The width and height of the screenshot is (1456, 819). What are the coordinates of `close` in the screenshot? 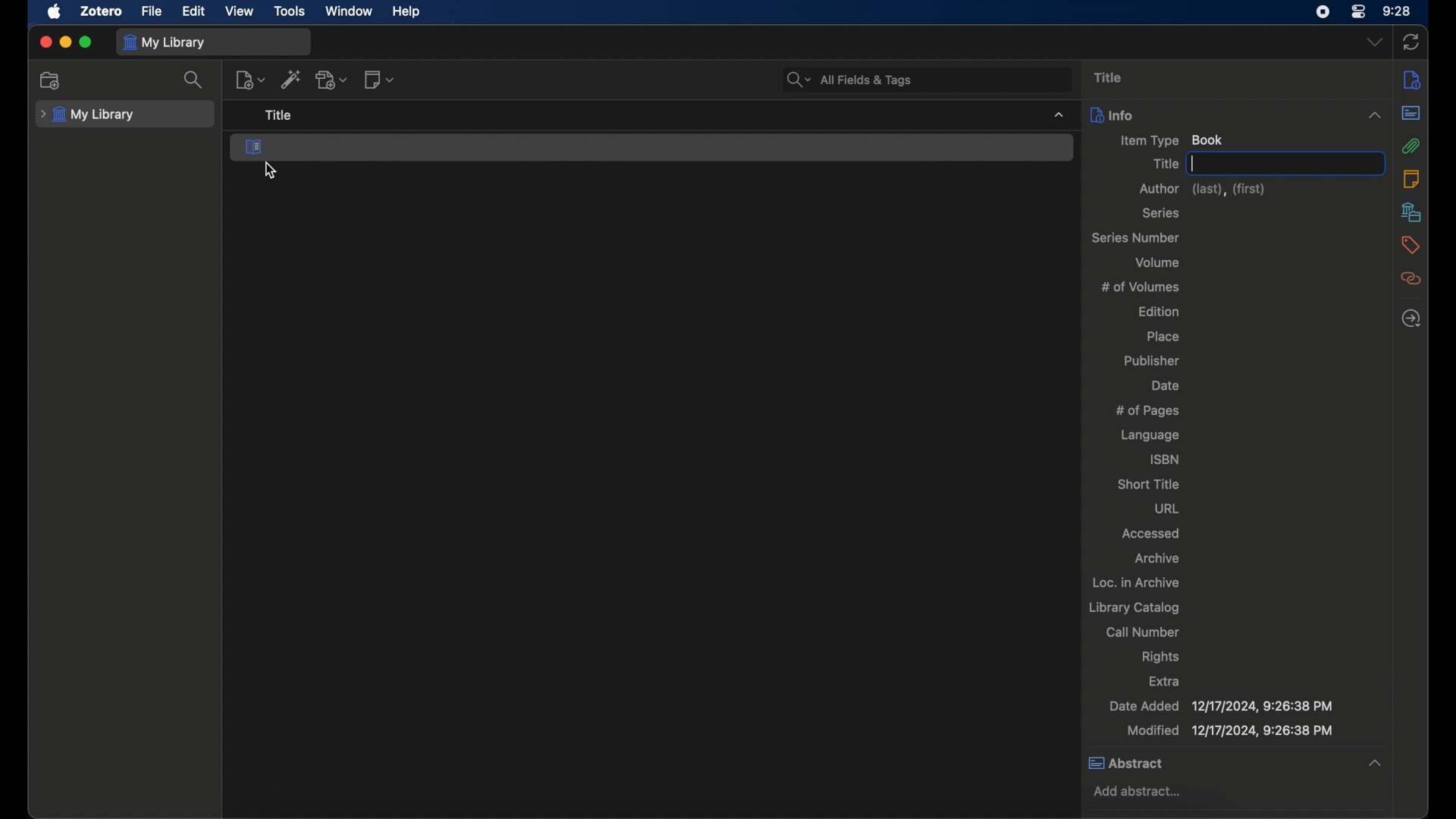 It's located at (45, 42).